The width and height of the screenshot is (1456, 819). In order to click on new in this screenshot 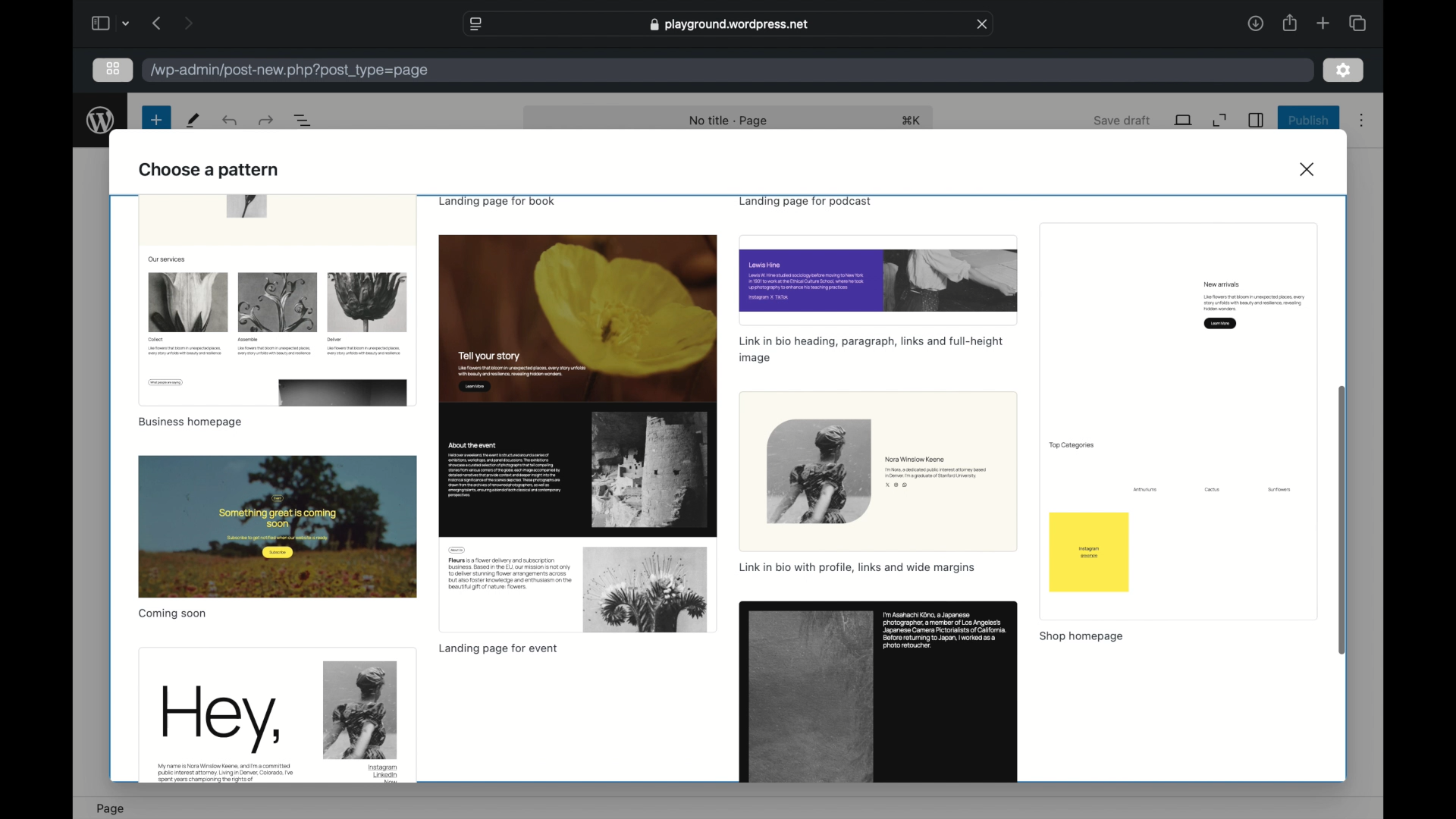, I will do `click(156, 121)`.